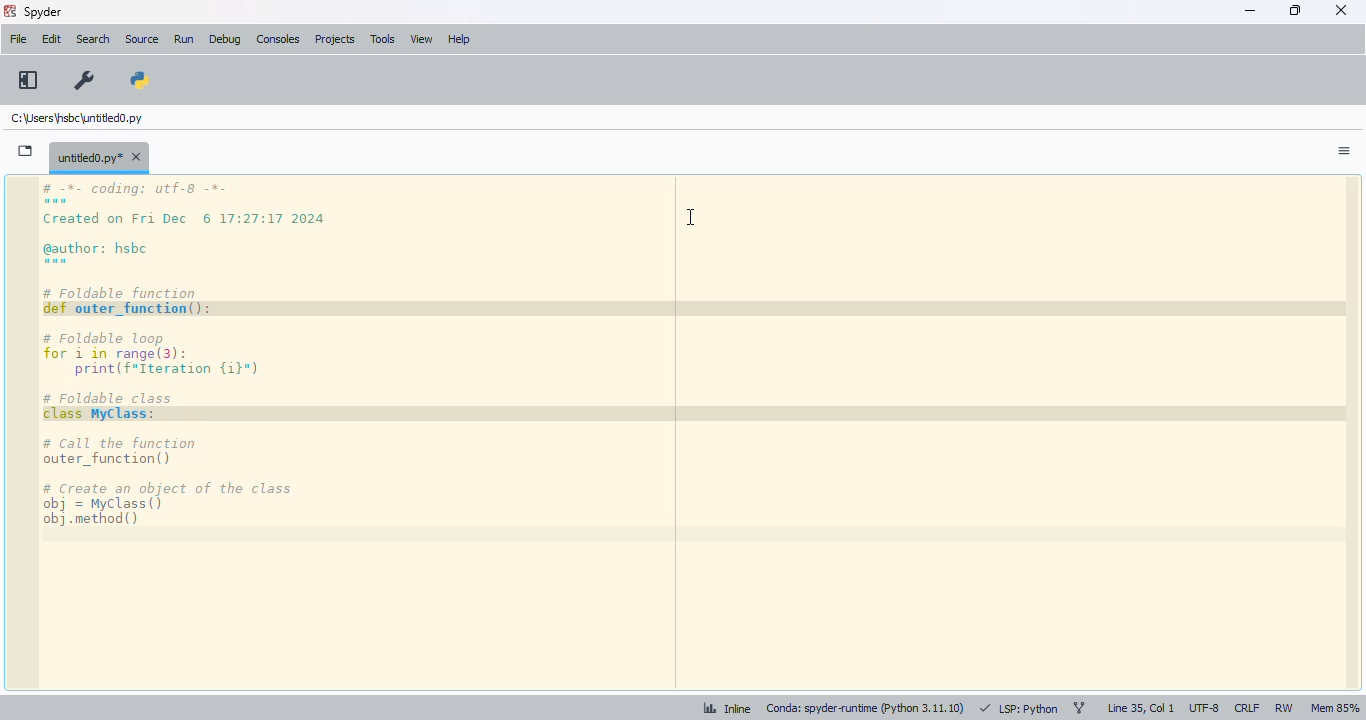 The height and width of the screenshot is (720, 1366). Describe the element at coordinates (1246, 707) in the screenshot. I see `CRLF` at that location.